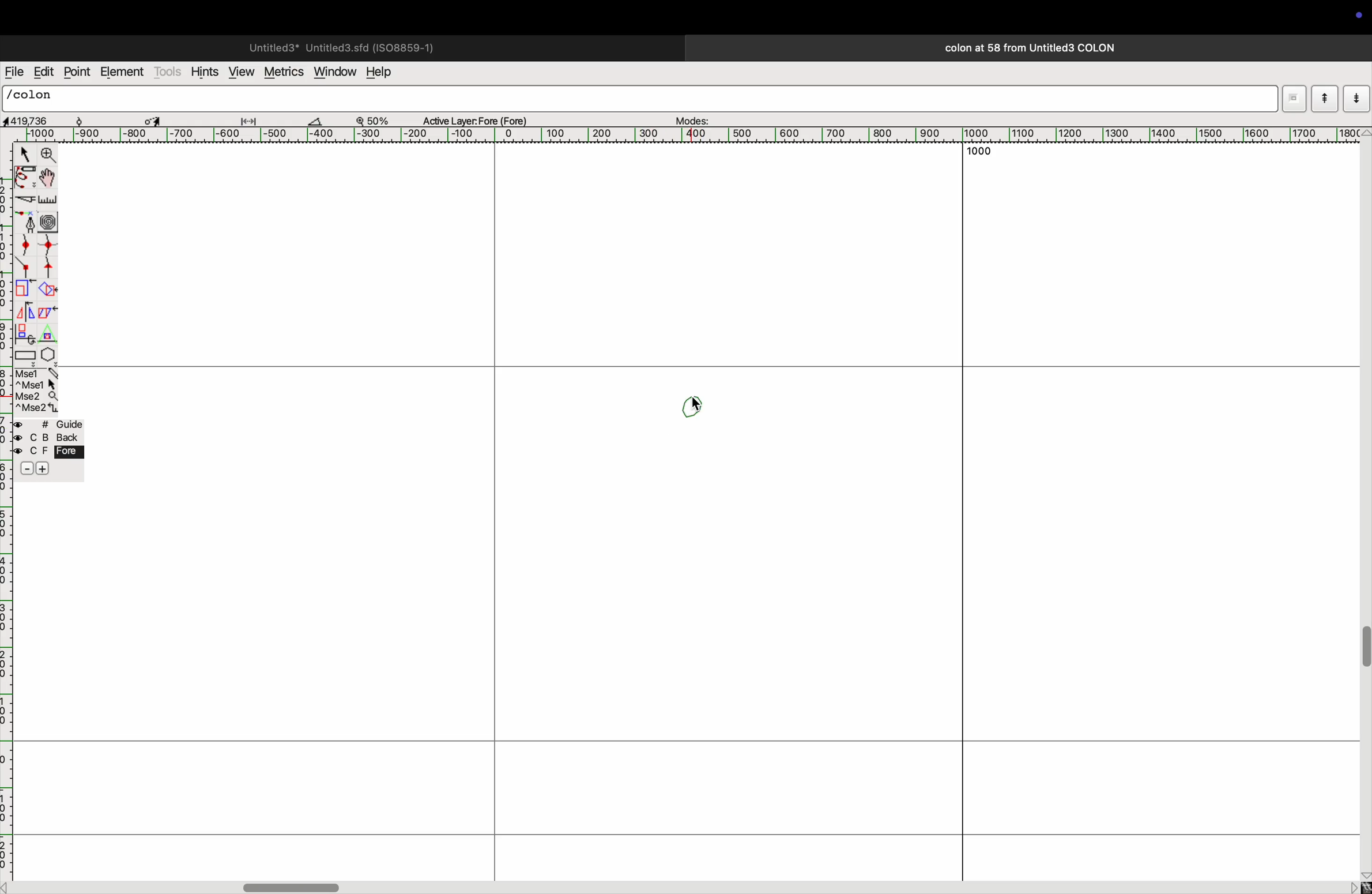  I want to click on modes, so click(694, 118).